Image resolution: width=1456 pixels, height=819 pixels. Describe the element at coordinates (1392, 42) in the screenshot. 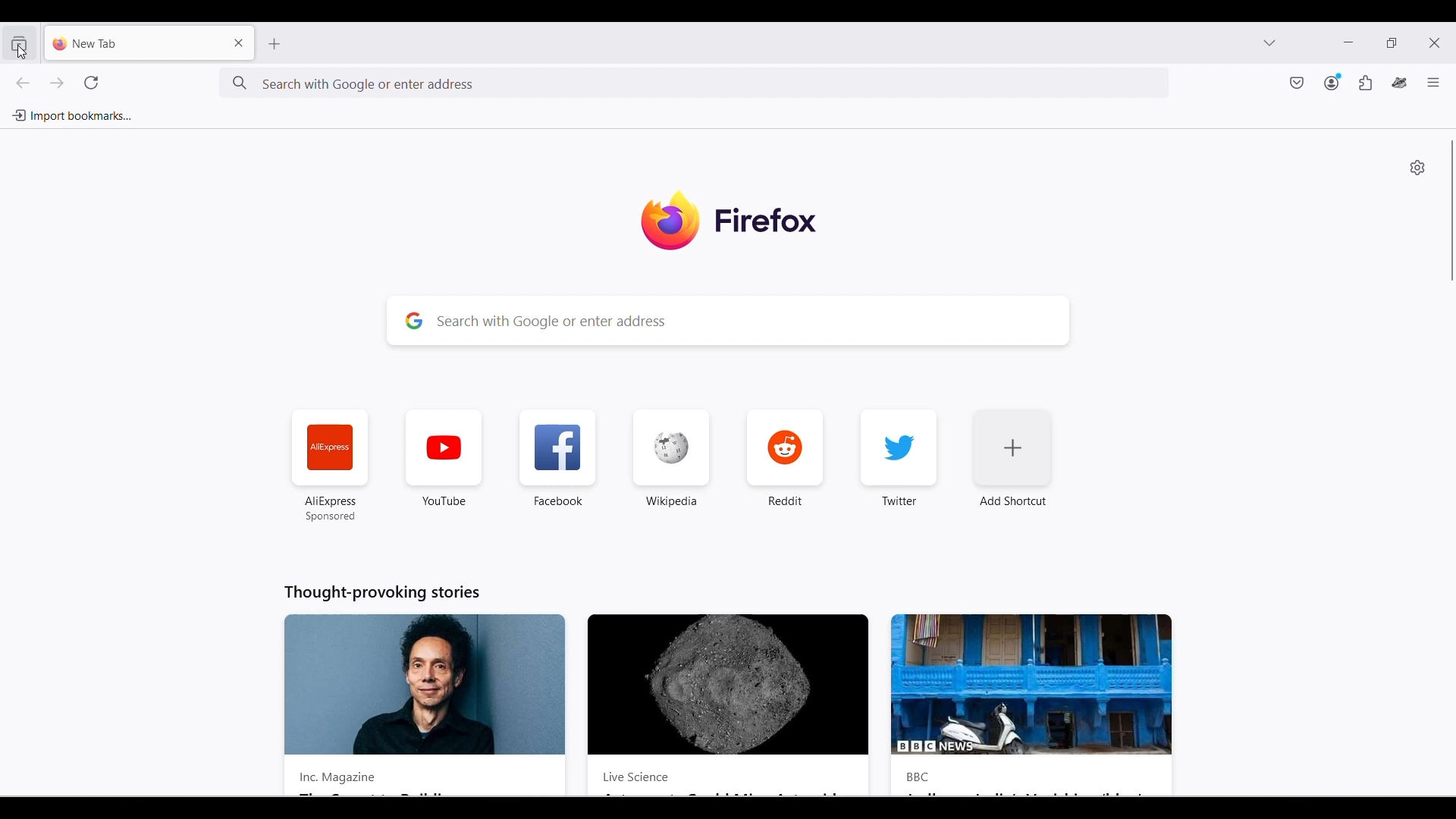

I see `Show browser in a smaller tab` at that location.